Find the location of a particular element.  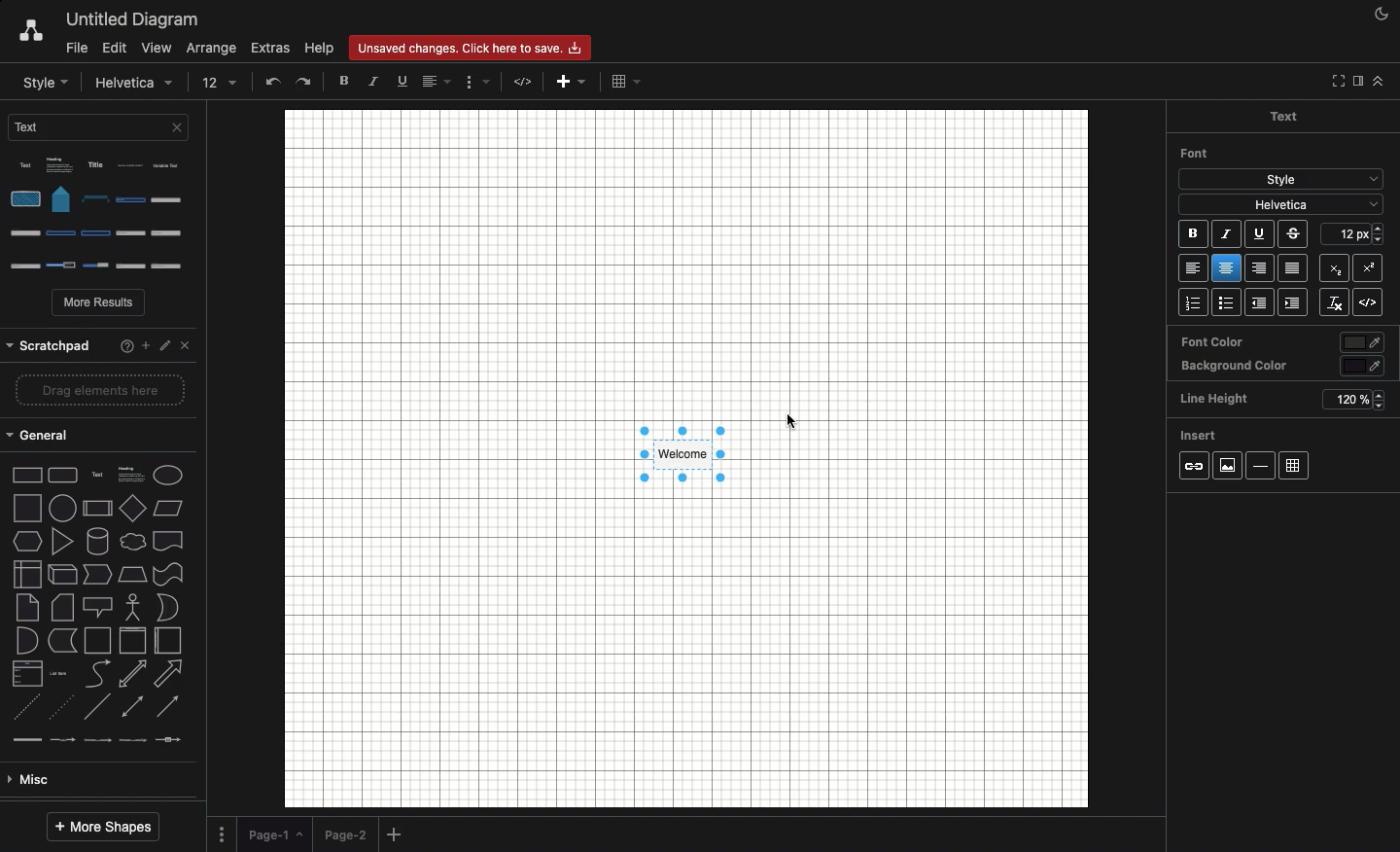

Entity relation is located at coordinates (63, 780).